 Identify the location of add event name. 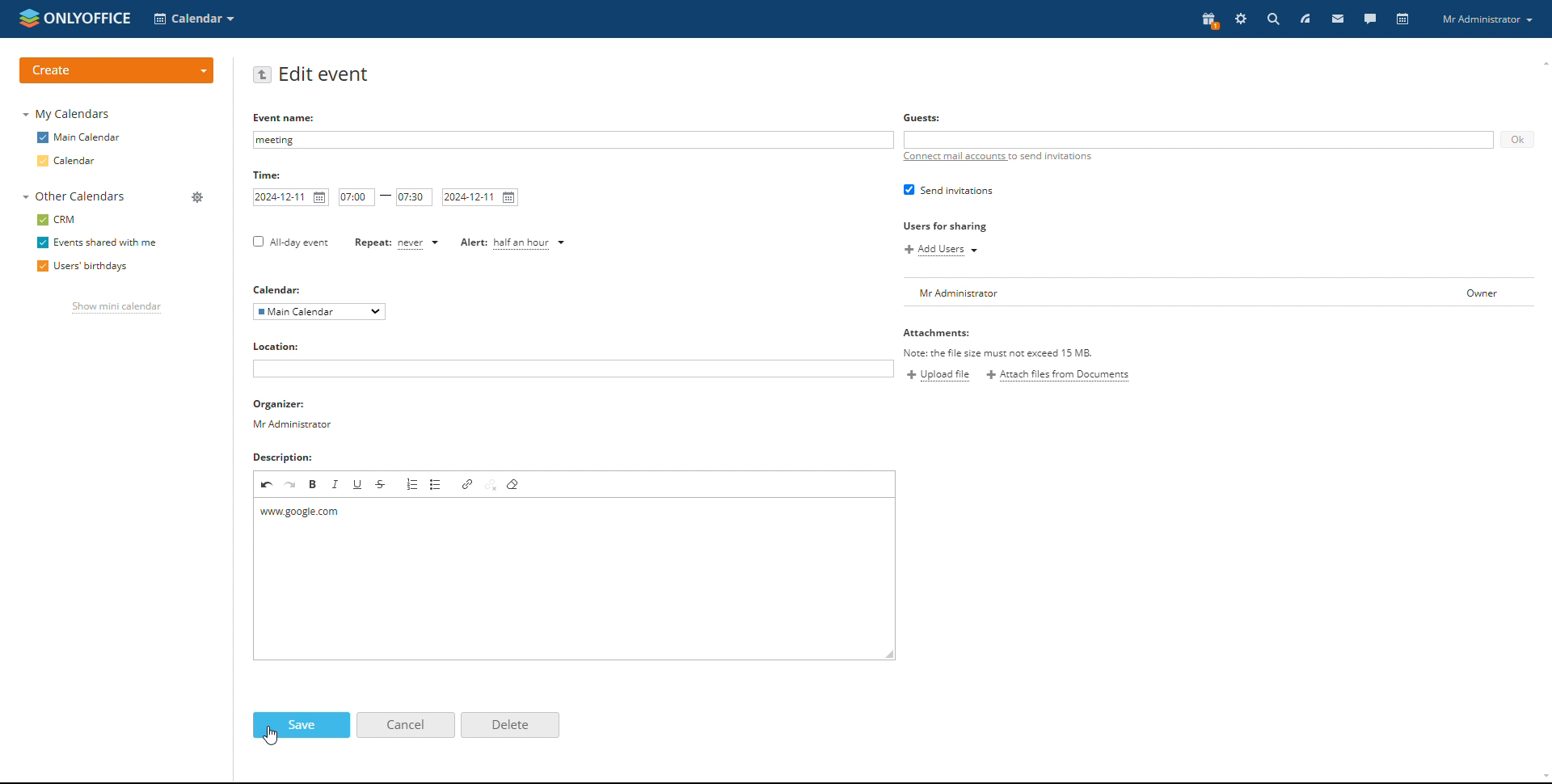
(571, 140).